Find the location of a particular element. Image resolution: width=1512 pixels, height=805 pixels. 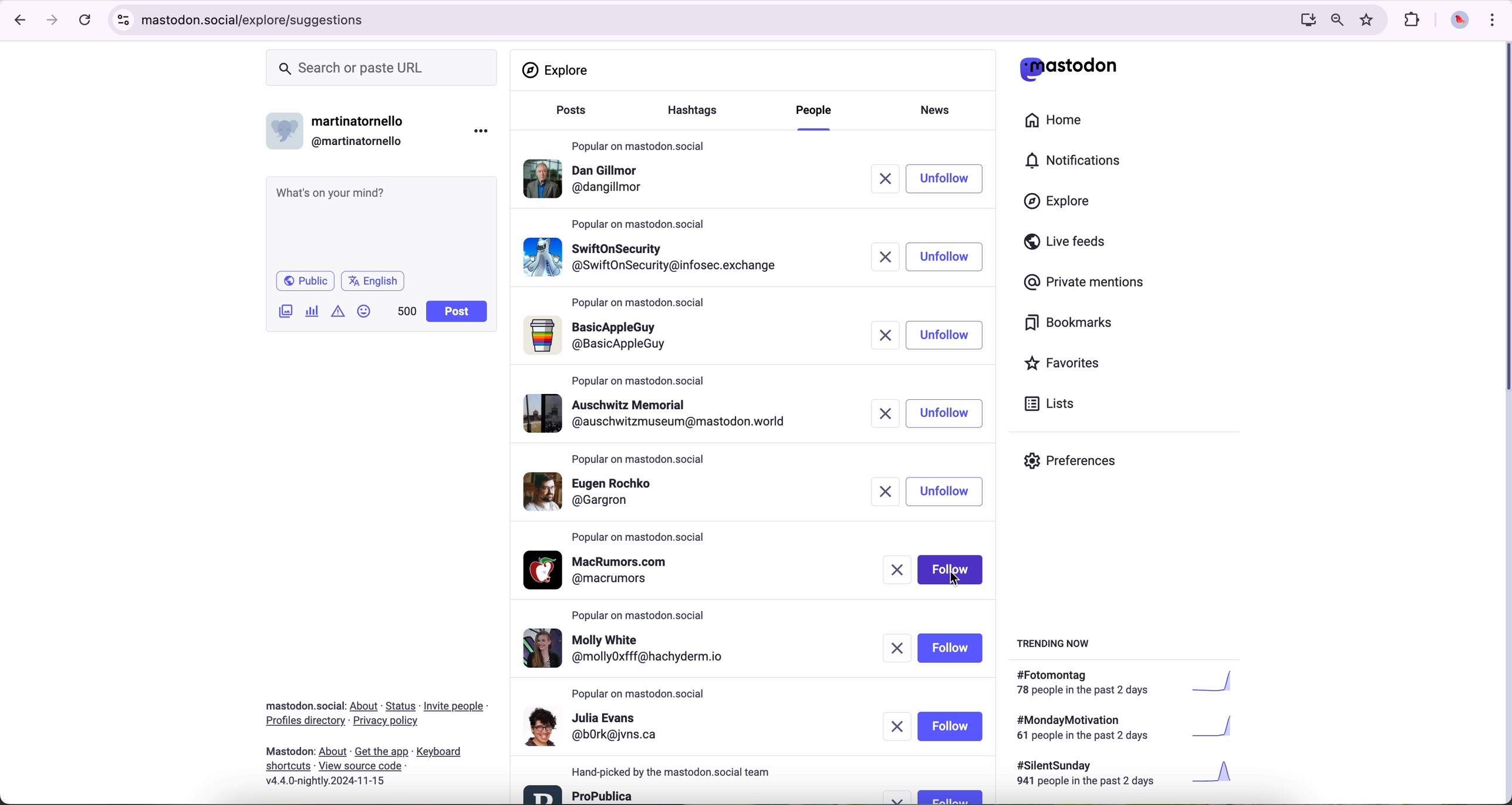

profile is located at coordinates (588, 181).